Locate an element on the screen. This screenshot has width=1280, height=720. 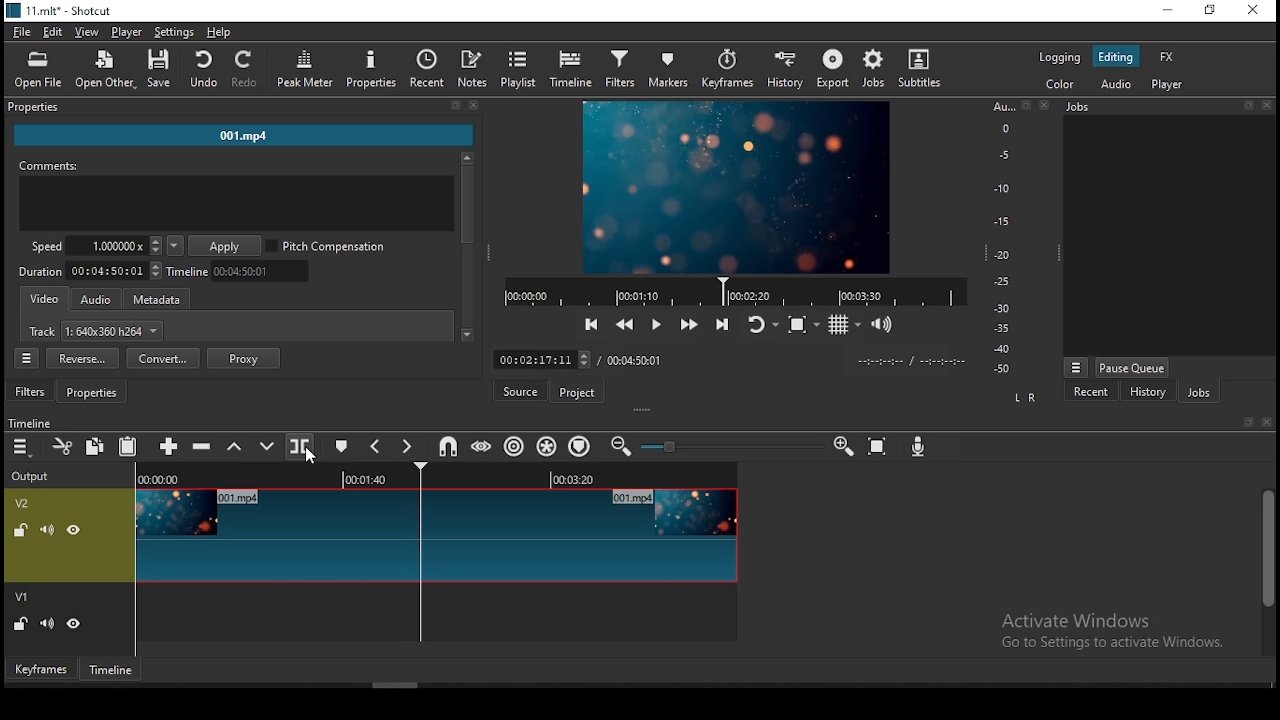
jobs is located at coordinates (1199, 392).